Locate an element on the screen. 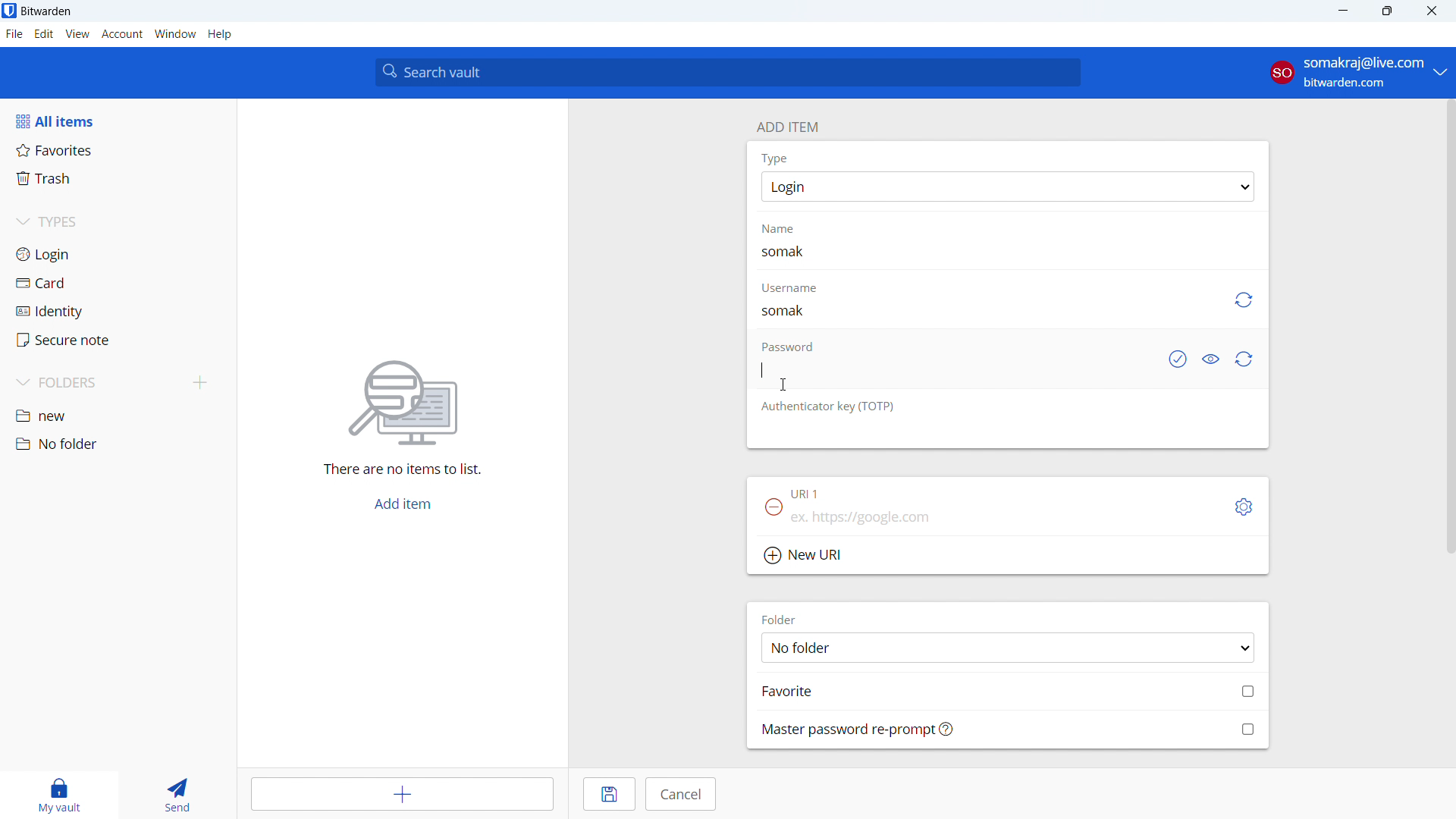 This screenshot has height=819, width=1456. FOLDER is located at coordinates (783, 619).